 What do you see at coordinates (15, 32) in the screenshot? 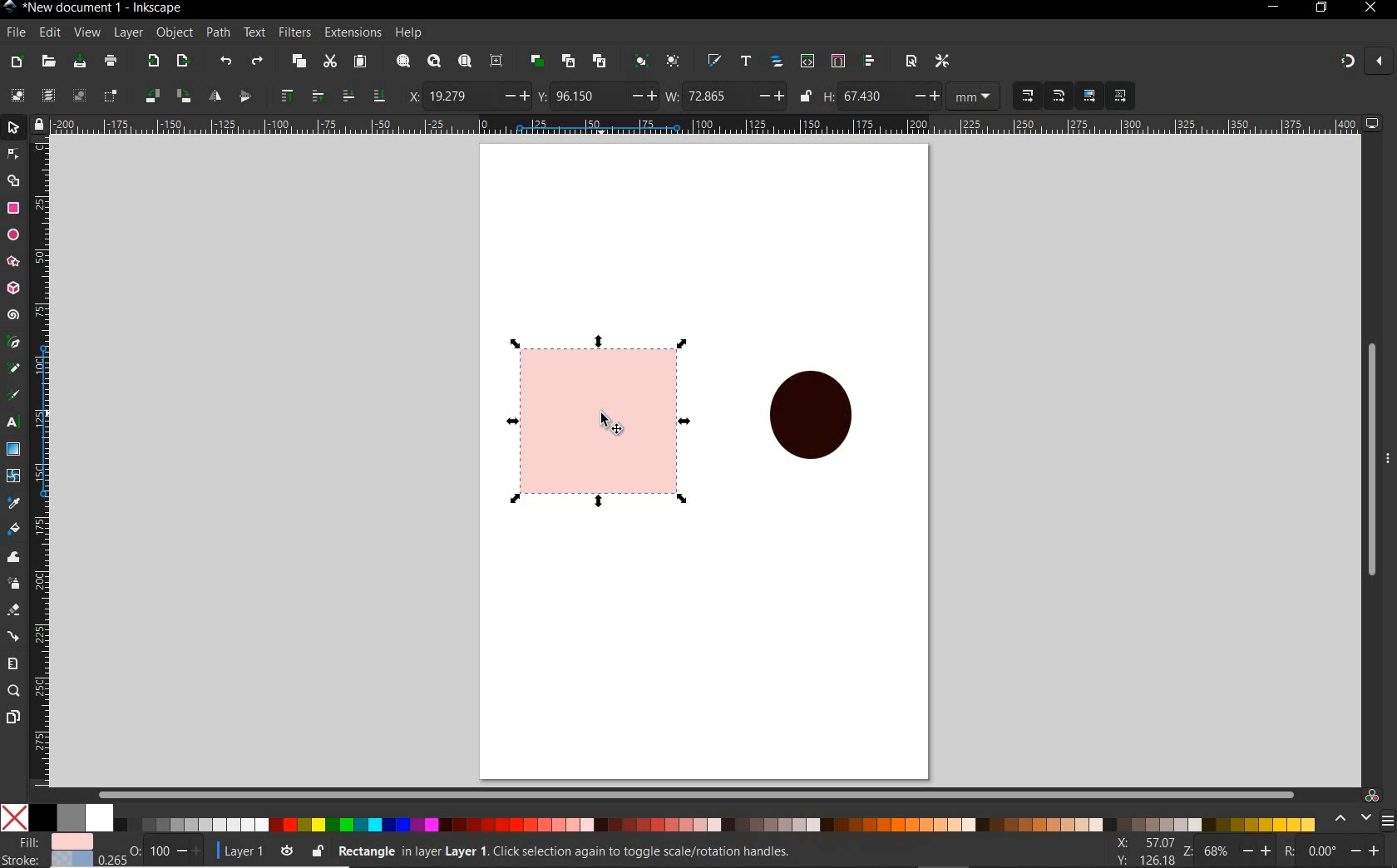
I see `file` at bounding box center [15, 32].